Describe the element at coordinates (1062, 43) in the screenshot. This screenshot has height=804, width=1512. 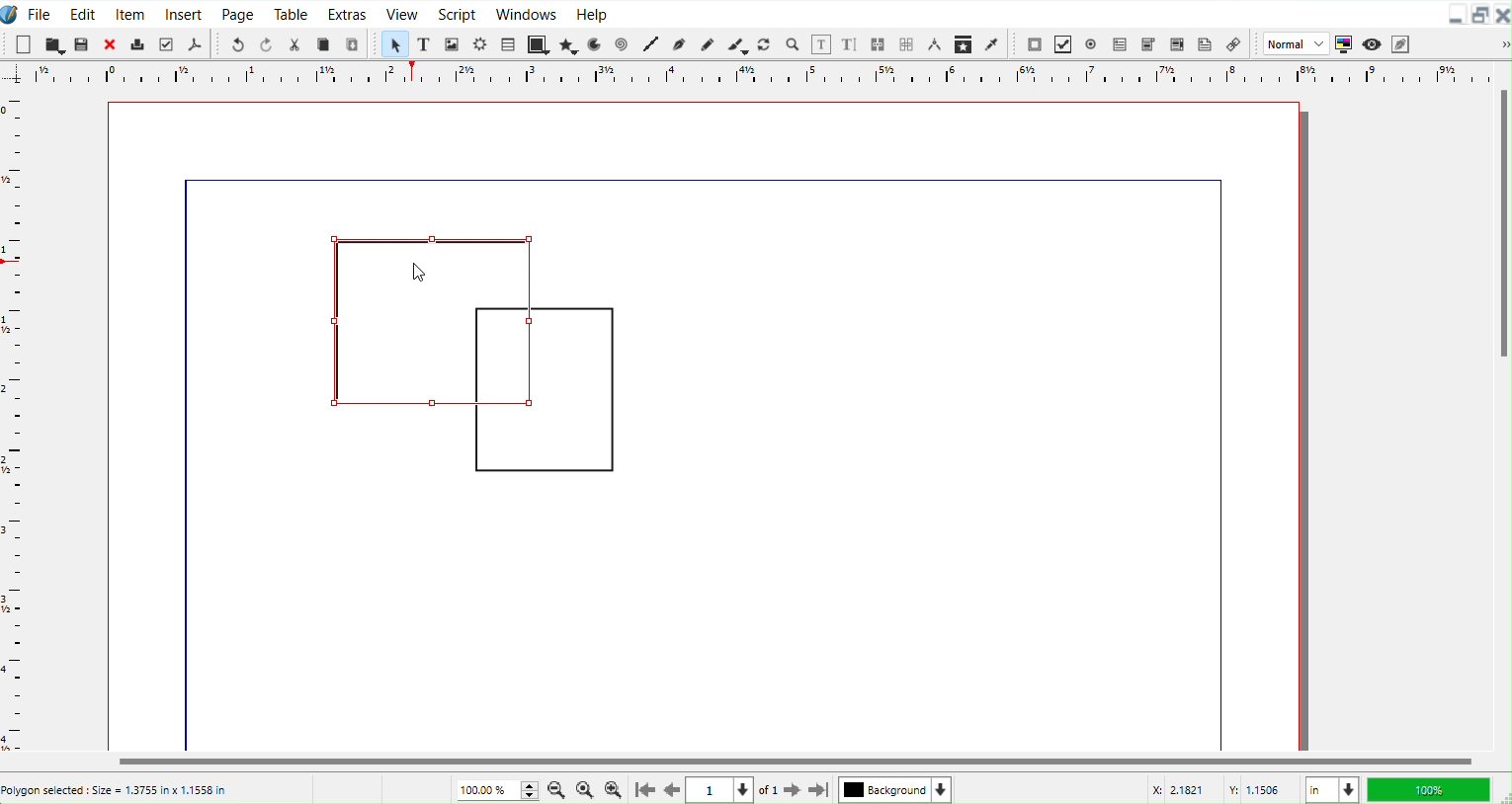
I see `PDF Check box` at that location.